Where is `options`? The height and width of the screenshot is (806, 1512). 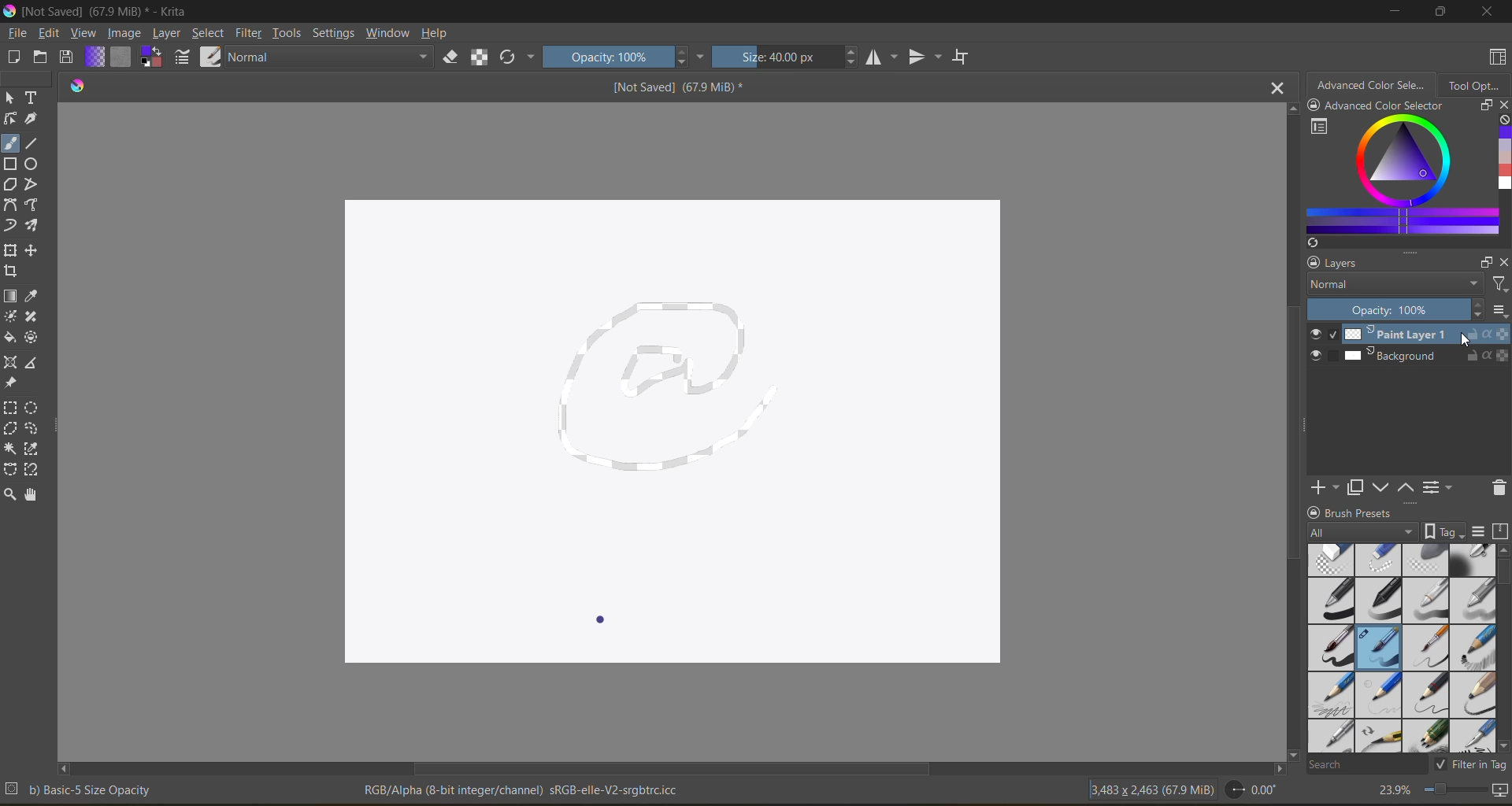 options is located at coordinates (1499, 309).